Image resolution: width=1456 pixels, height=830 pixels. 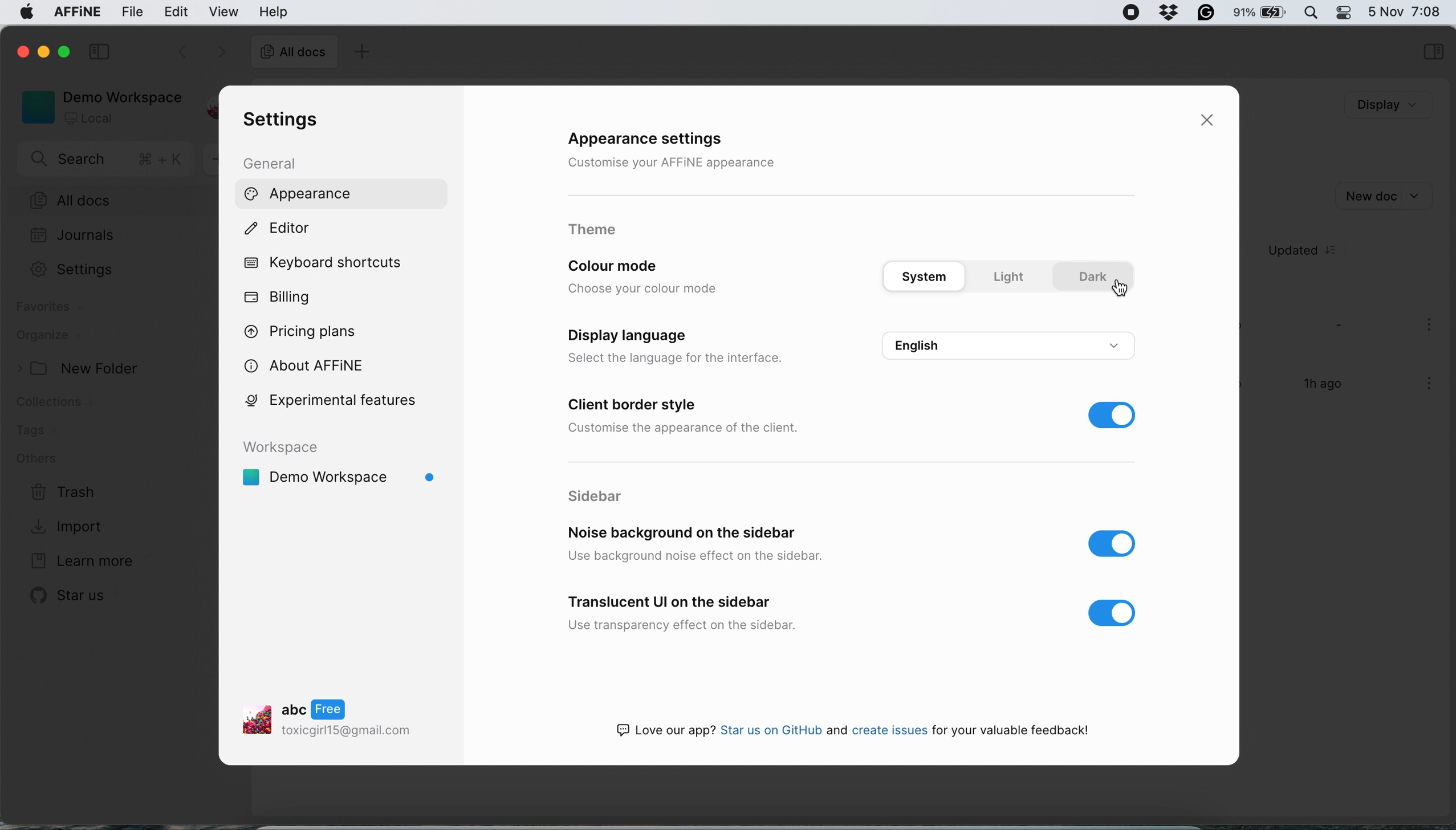 I want to click on light, so click(x=1010, y=278).